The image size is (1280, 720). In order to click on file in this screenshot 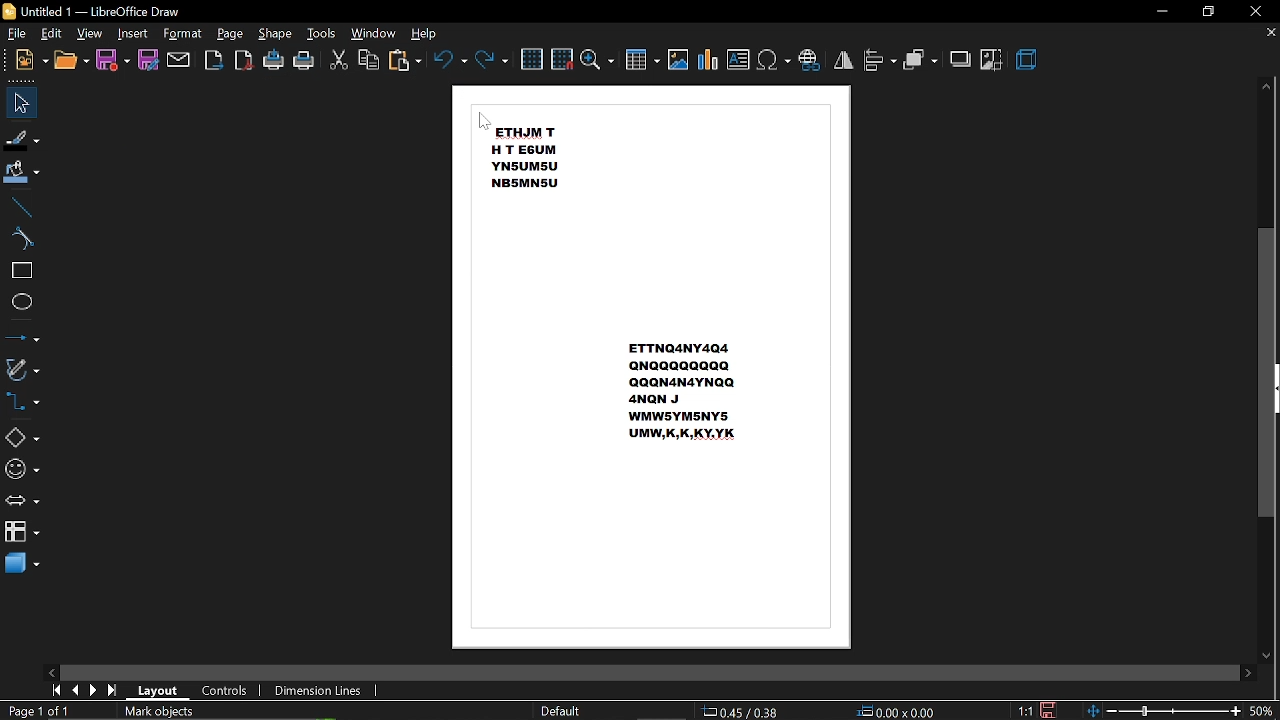, I will do `click(18, 34)`.